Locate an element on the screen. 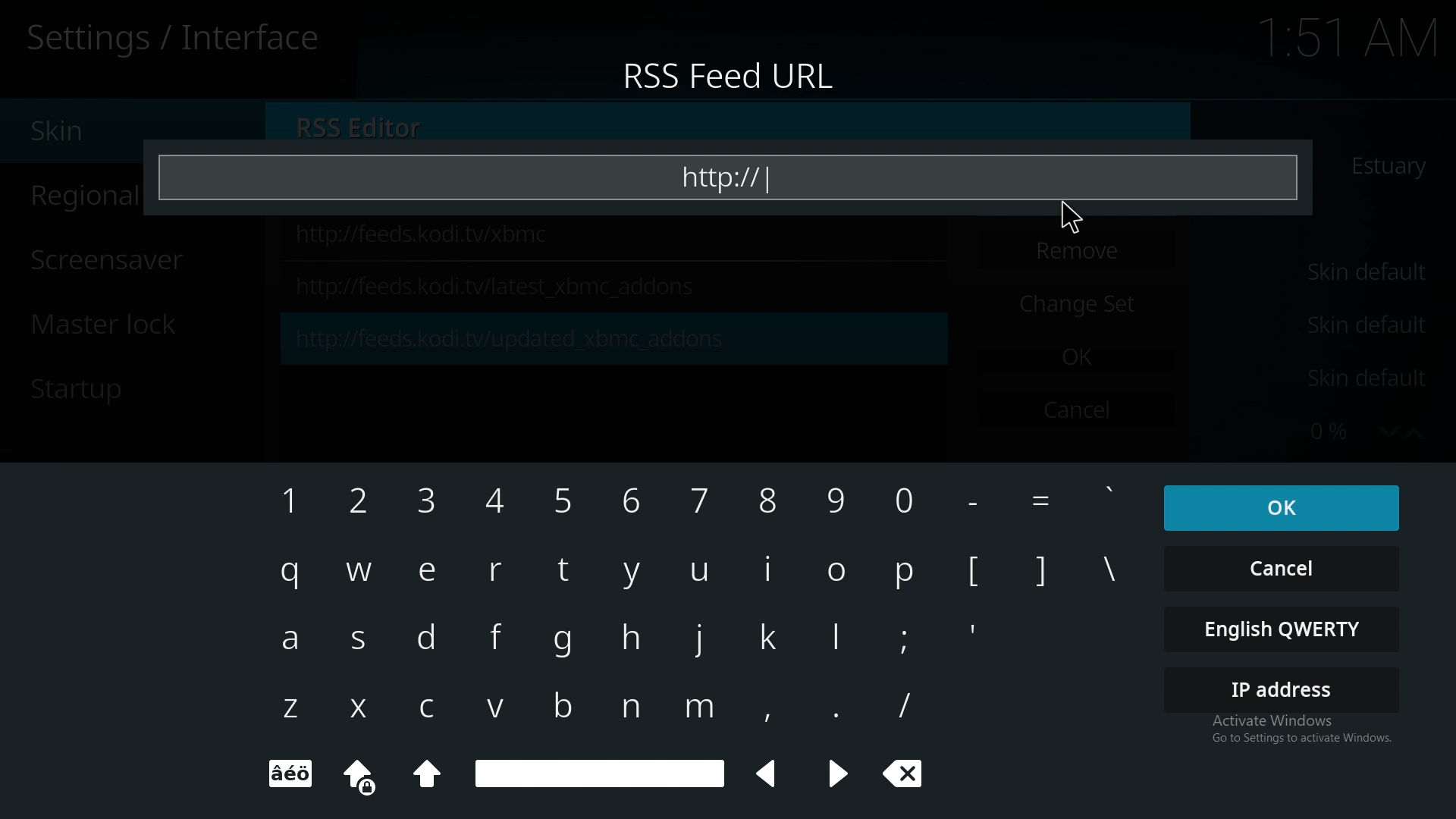 This screenshot has height=819, width=1456. keyboard Input is located at coordinates (836, 574).